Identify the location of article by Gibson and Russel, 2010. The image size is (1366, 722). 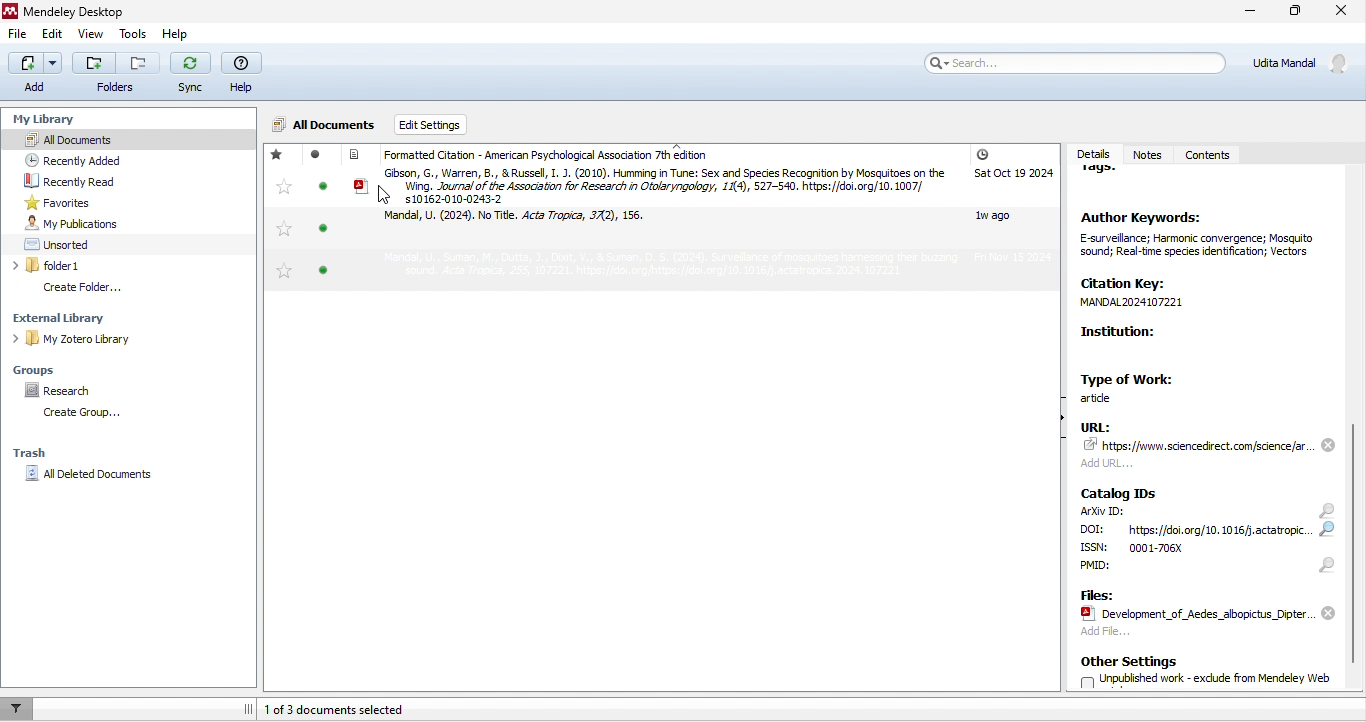
(651, 185).